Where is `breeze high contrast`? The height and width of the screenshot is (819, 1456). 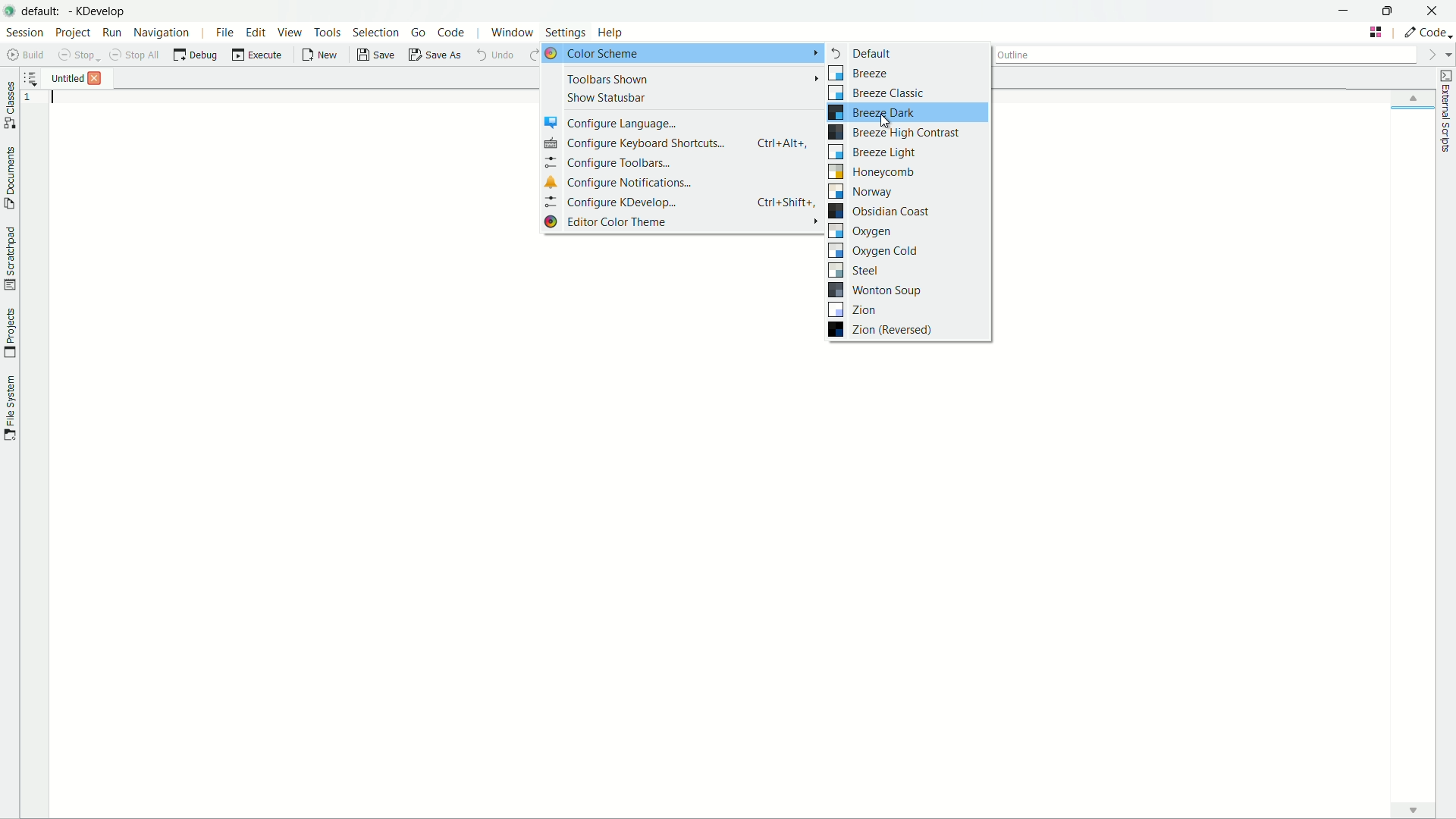
breeze high contrast is located at coordinates (895, 132).